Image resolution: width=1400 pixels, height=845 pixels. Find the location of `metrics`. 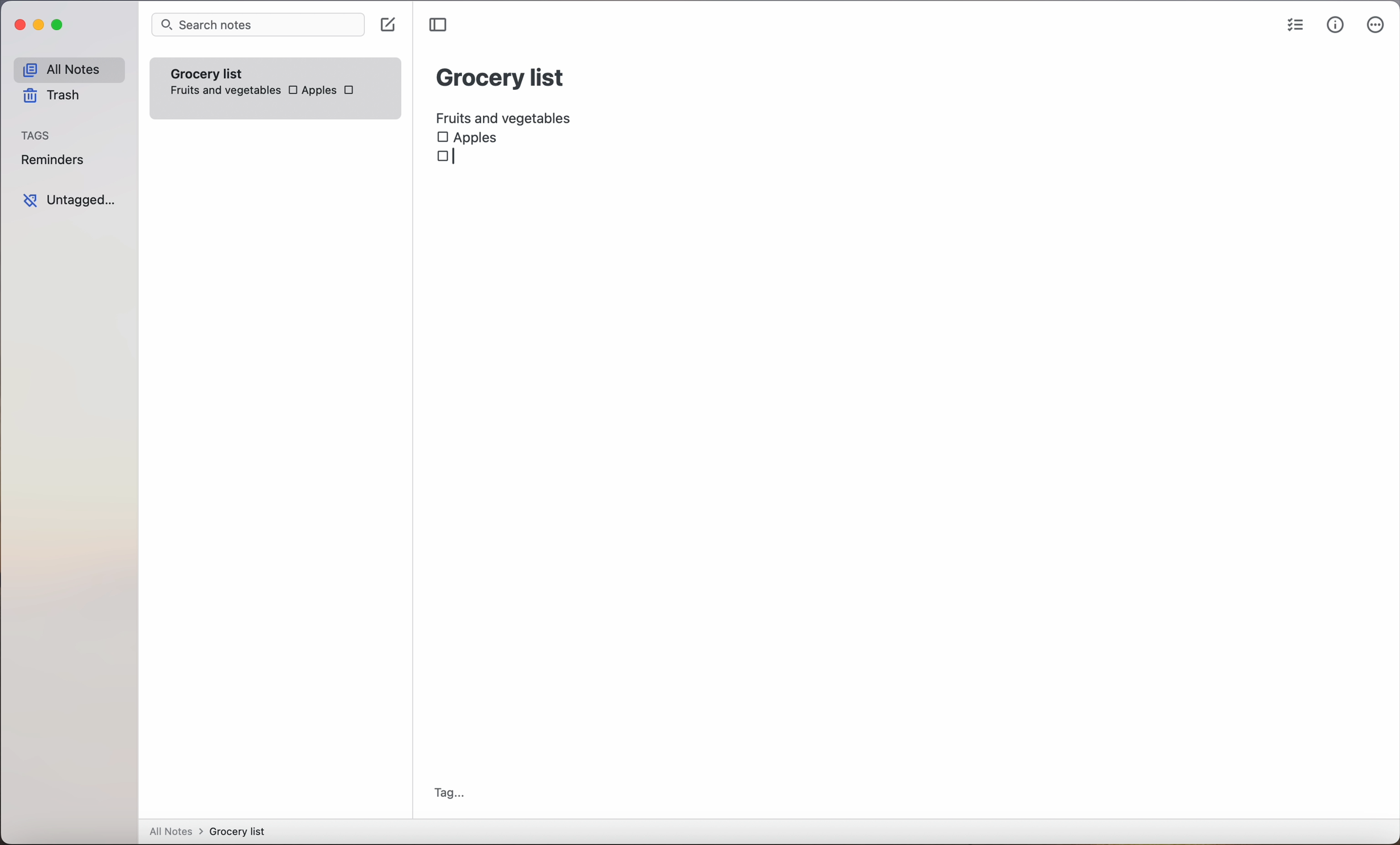

metrics is located at coordinates (1335, 26).